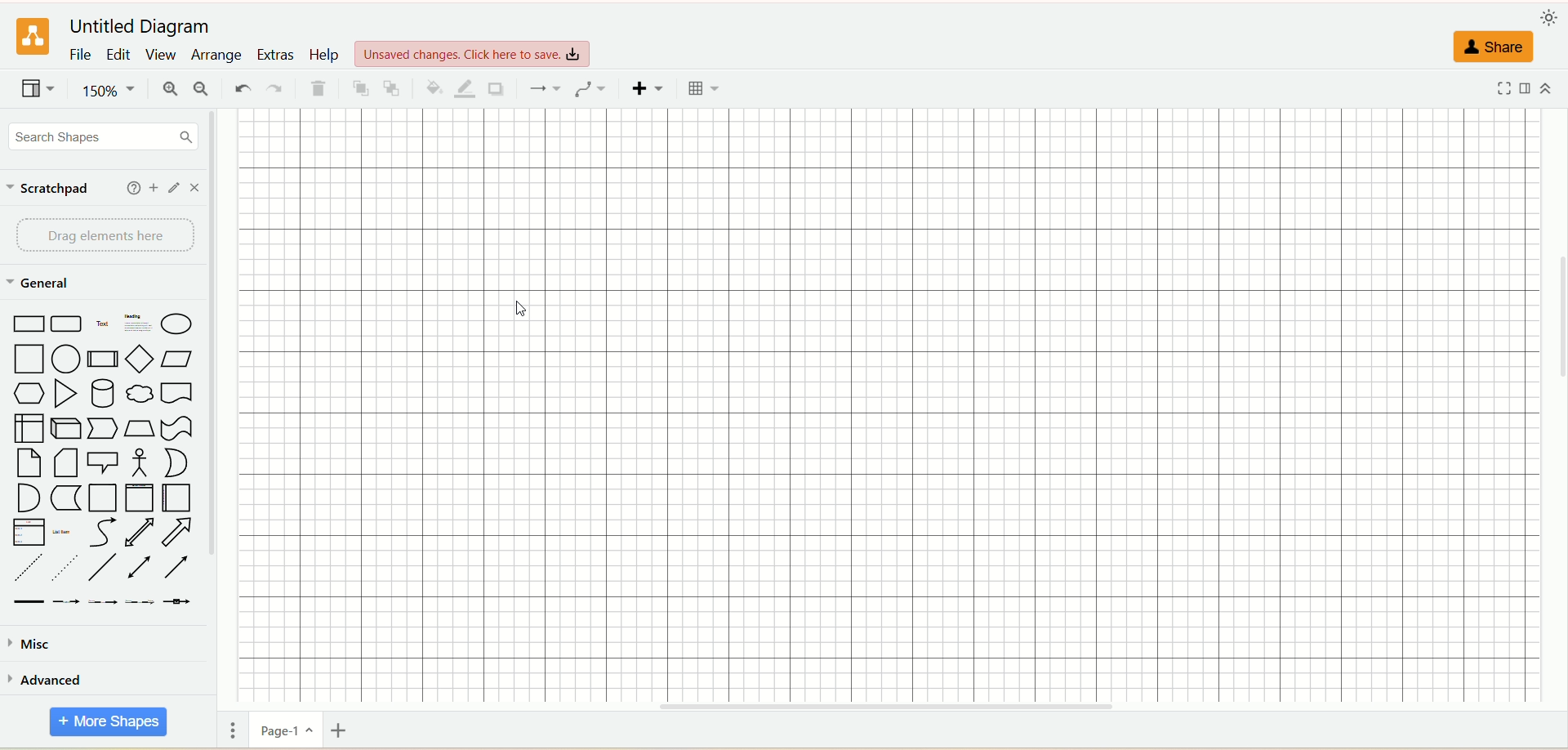 Image resolution: width=1568 pixels, height=750 pixels. Describe the element at coordinates (38, 645) in the screenshot. I see `misc` at that location.